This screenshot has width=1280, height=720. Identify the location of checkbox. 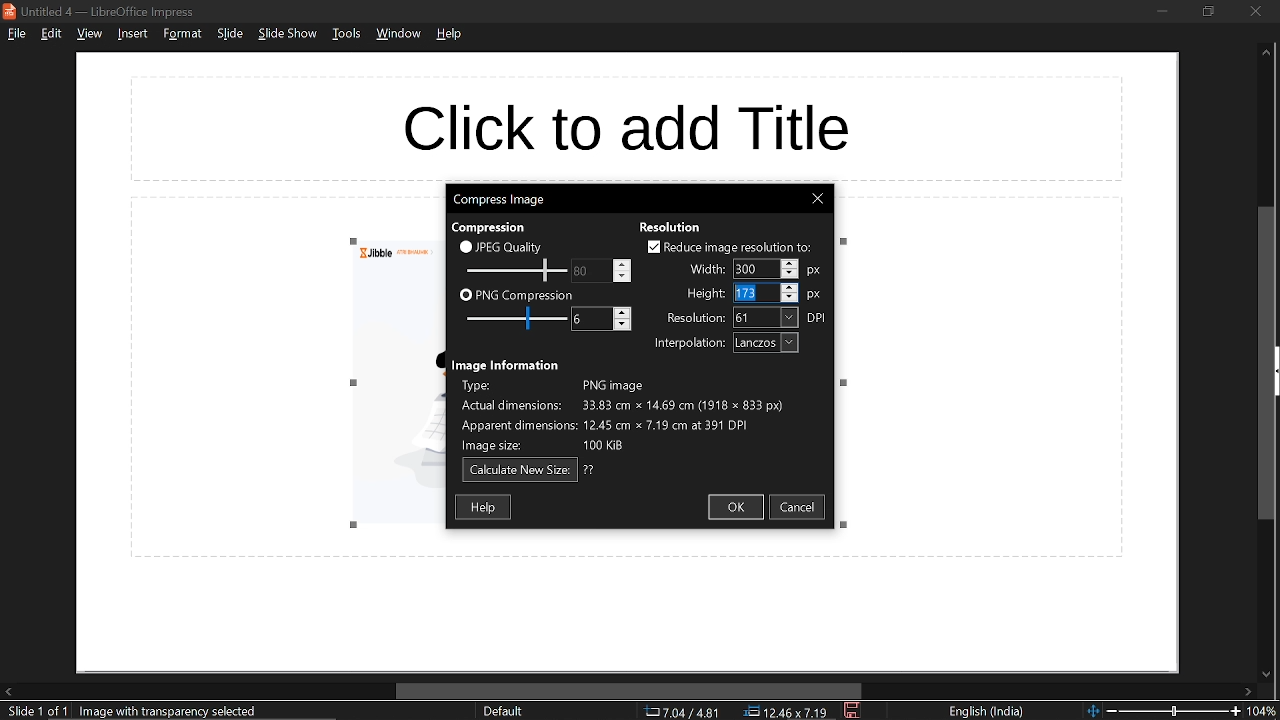
(465, 296).